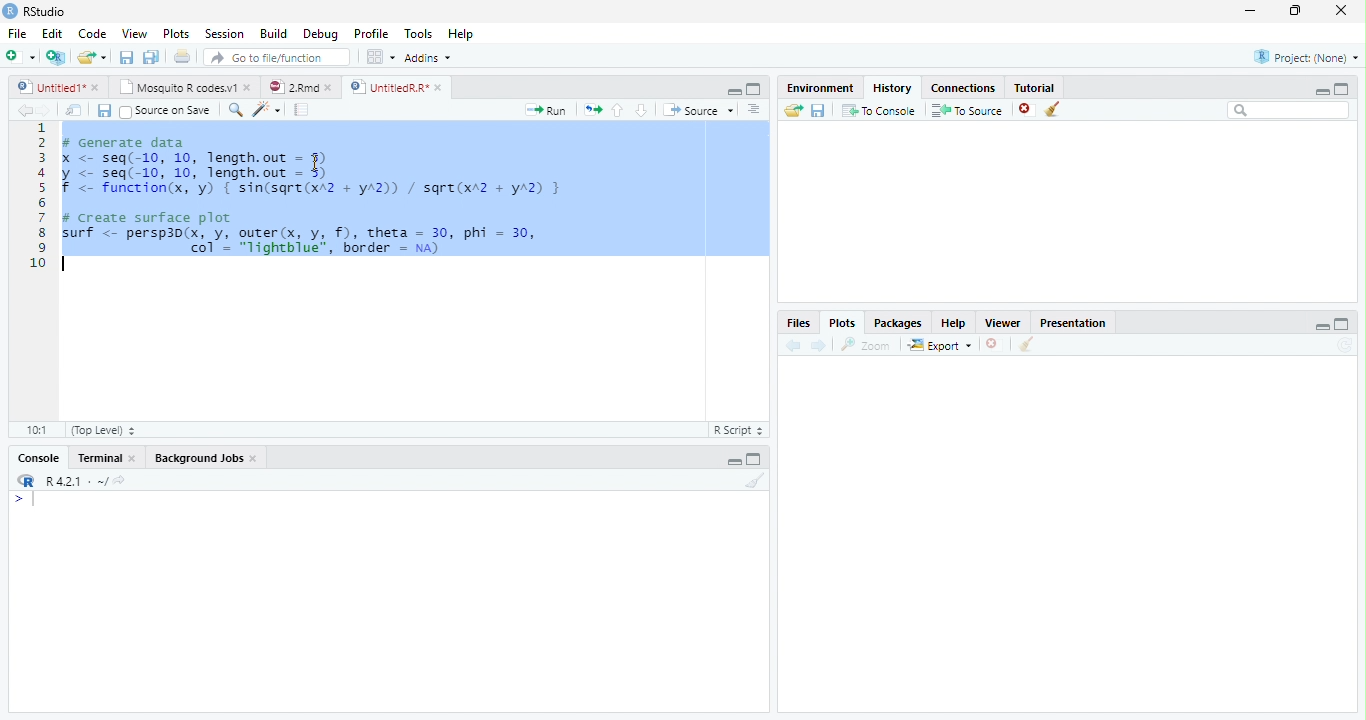  I want to click on Connections, so click(963, 87).